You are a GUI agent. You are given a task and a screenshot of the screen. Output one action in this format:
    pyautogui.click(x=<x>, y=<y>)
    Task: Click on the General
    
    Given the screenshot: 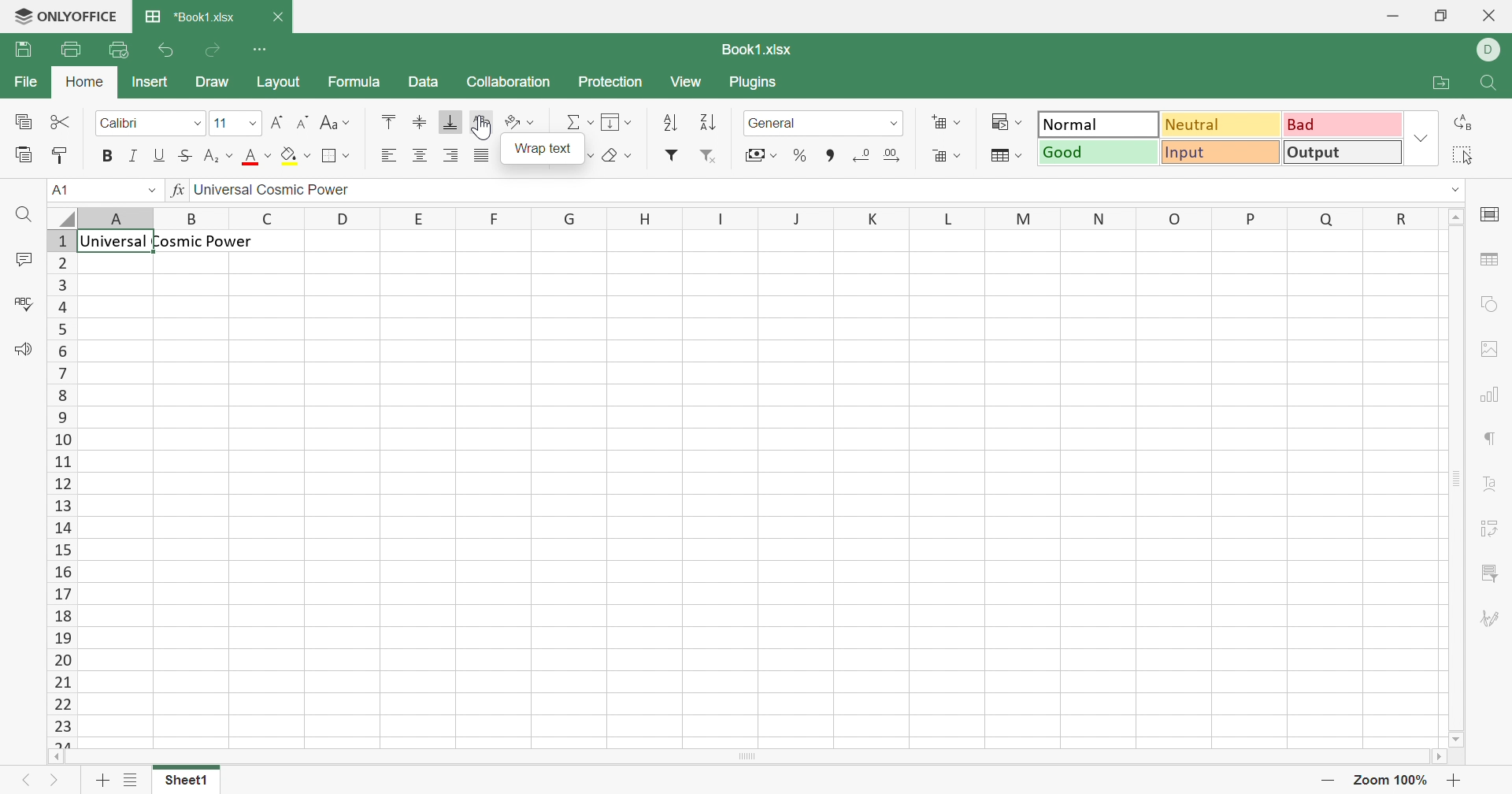 What is the action you would take?
    pyautogui.click(x=781, y=121)
    